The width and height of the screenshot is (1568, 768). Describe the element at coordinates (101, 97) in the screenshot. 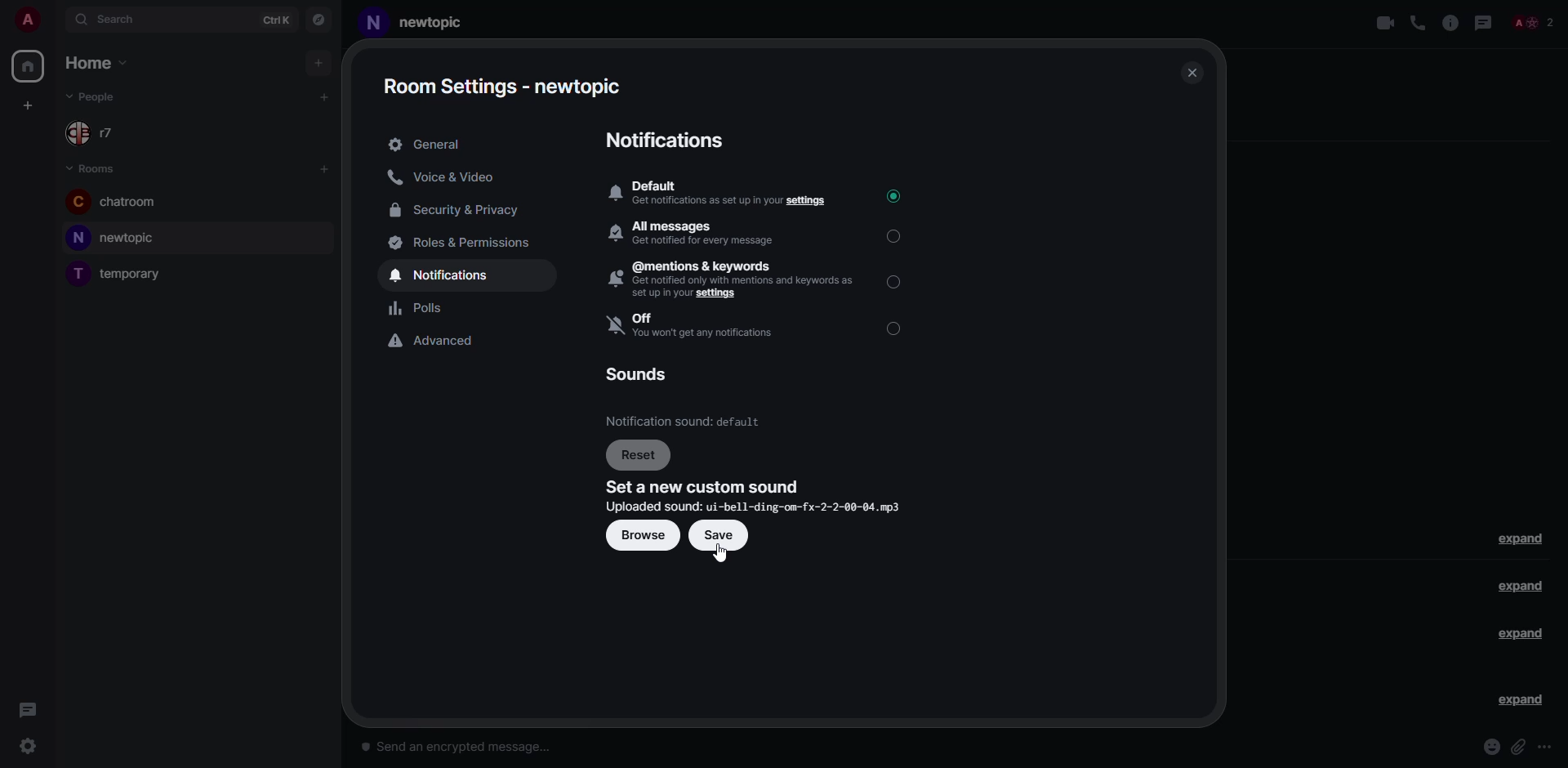

I see `people` at that location.